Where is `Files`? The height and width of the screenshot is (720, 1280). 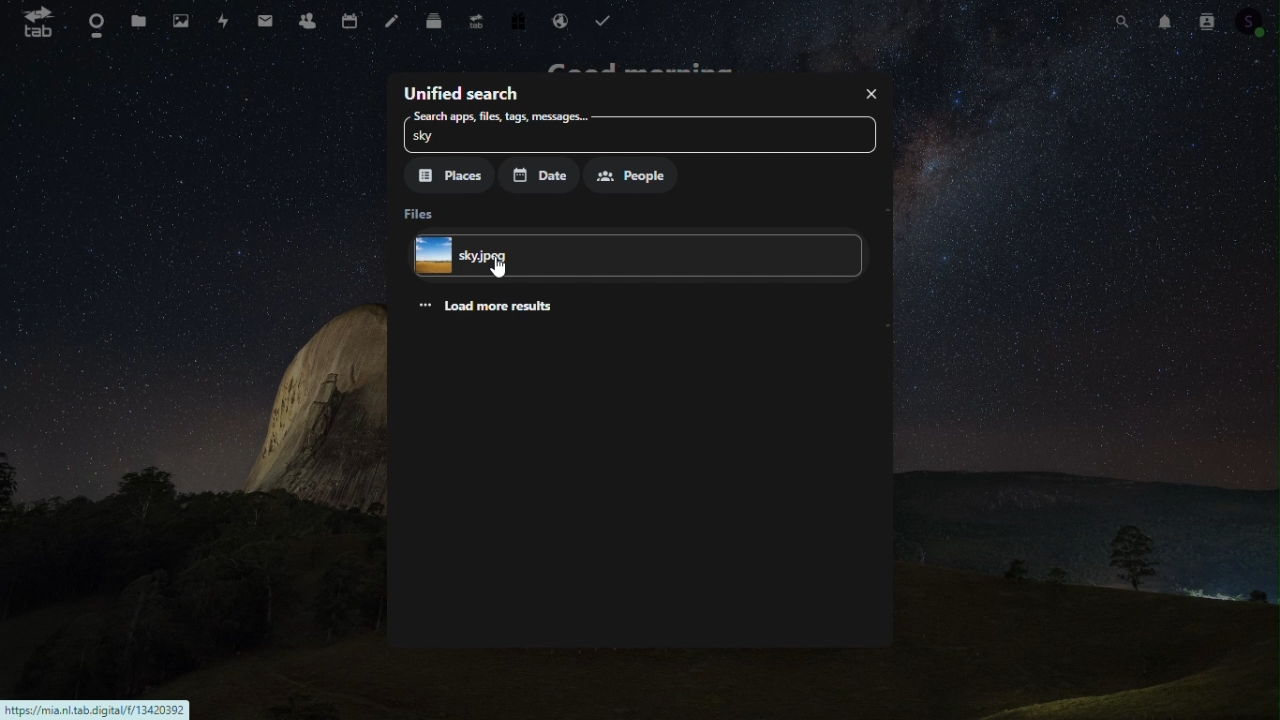 Files is located at coordinates (421, 211).